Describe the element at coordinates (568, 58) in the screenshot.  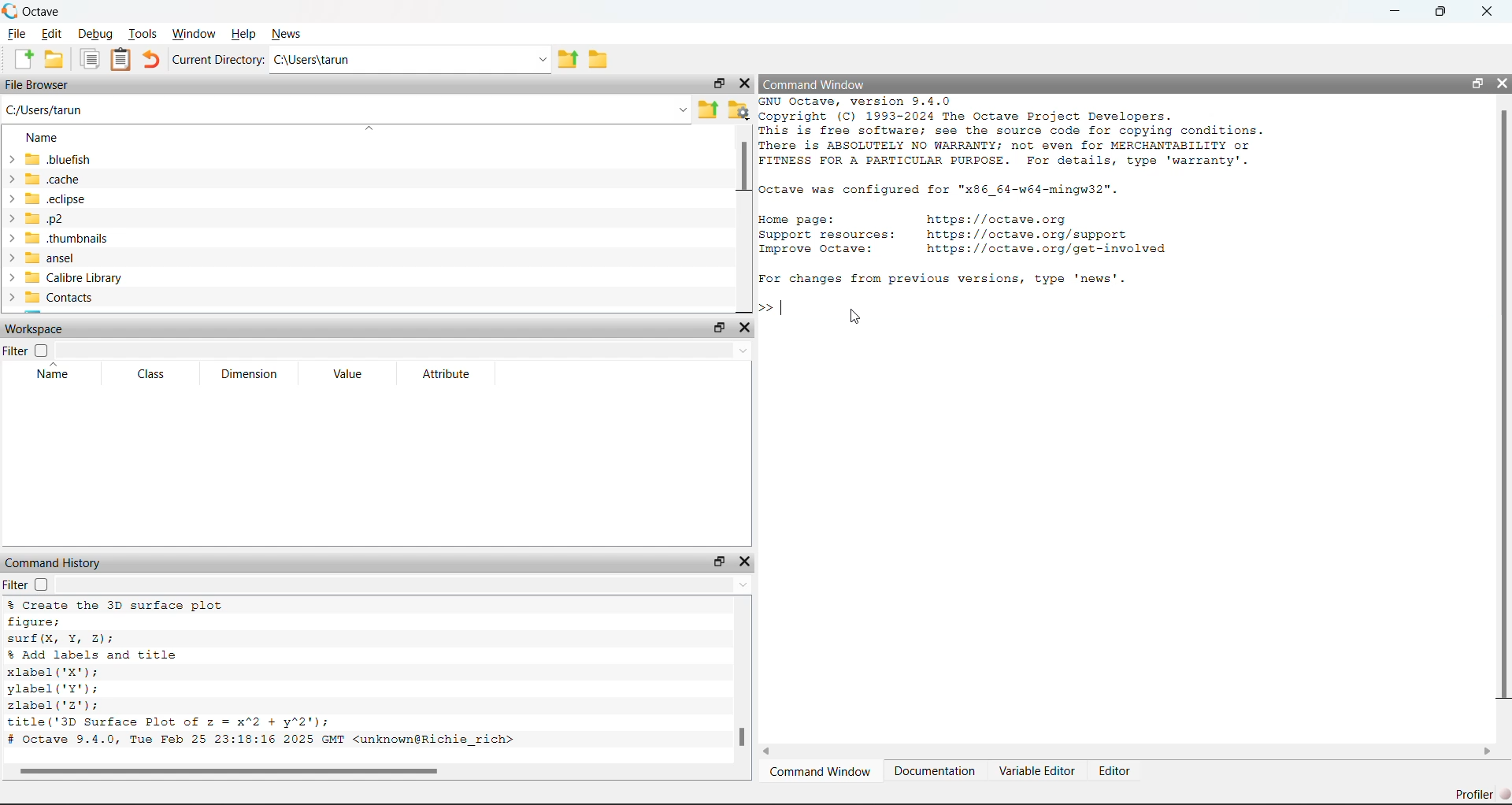
I see `Parent Directory` at that location.